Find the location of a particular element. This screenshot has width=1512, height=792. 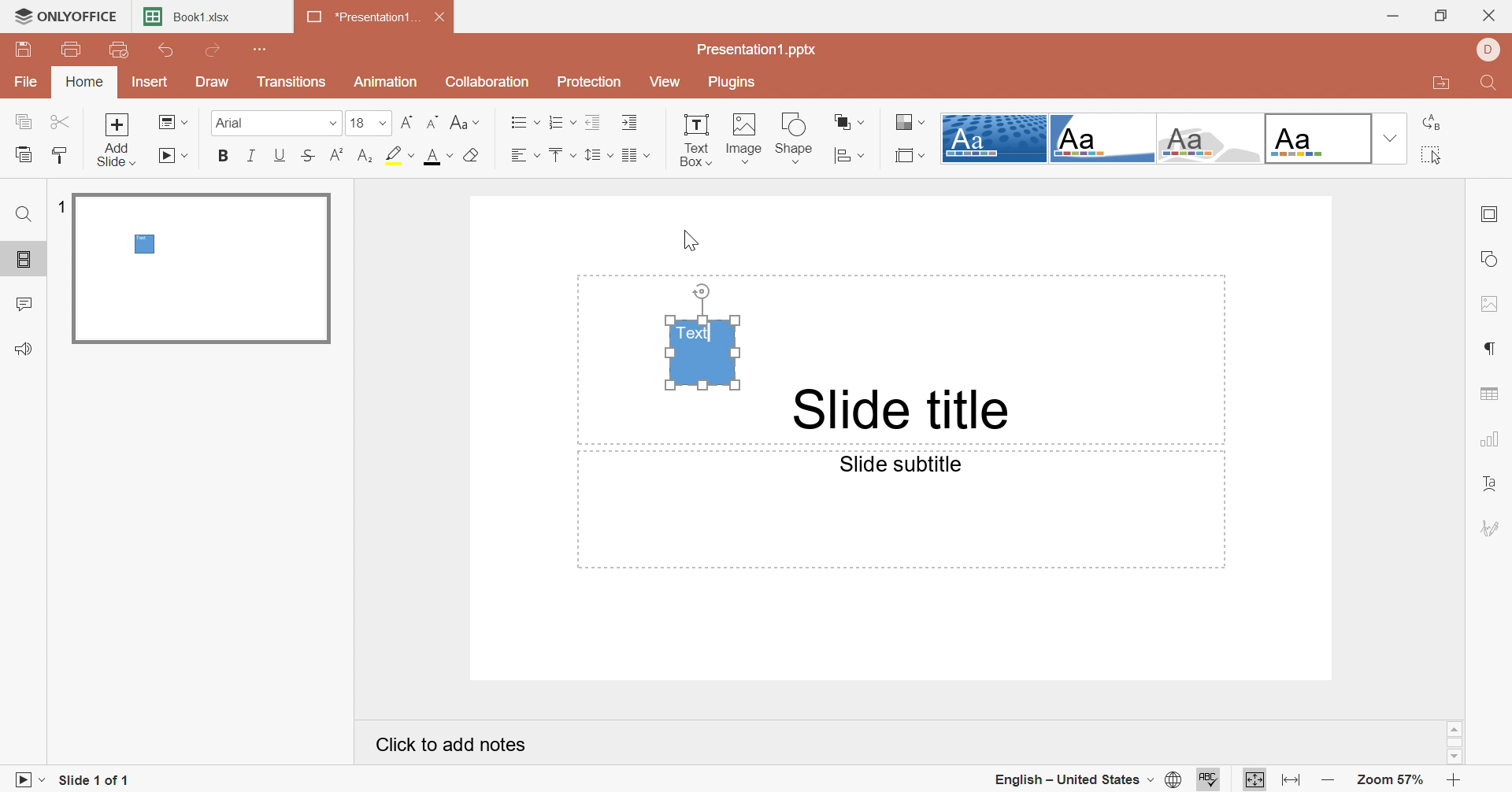

Decrement font size is located at coordinates (432, 123).